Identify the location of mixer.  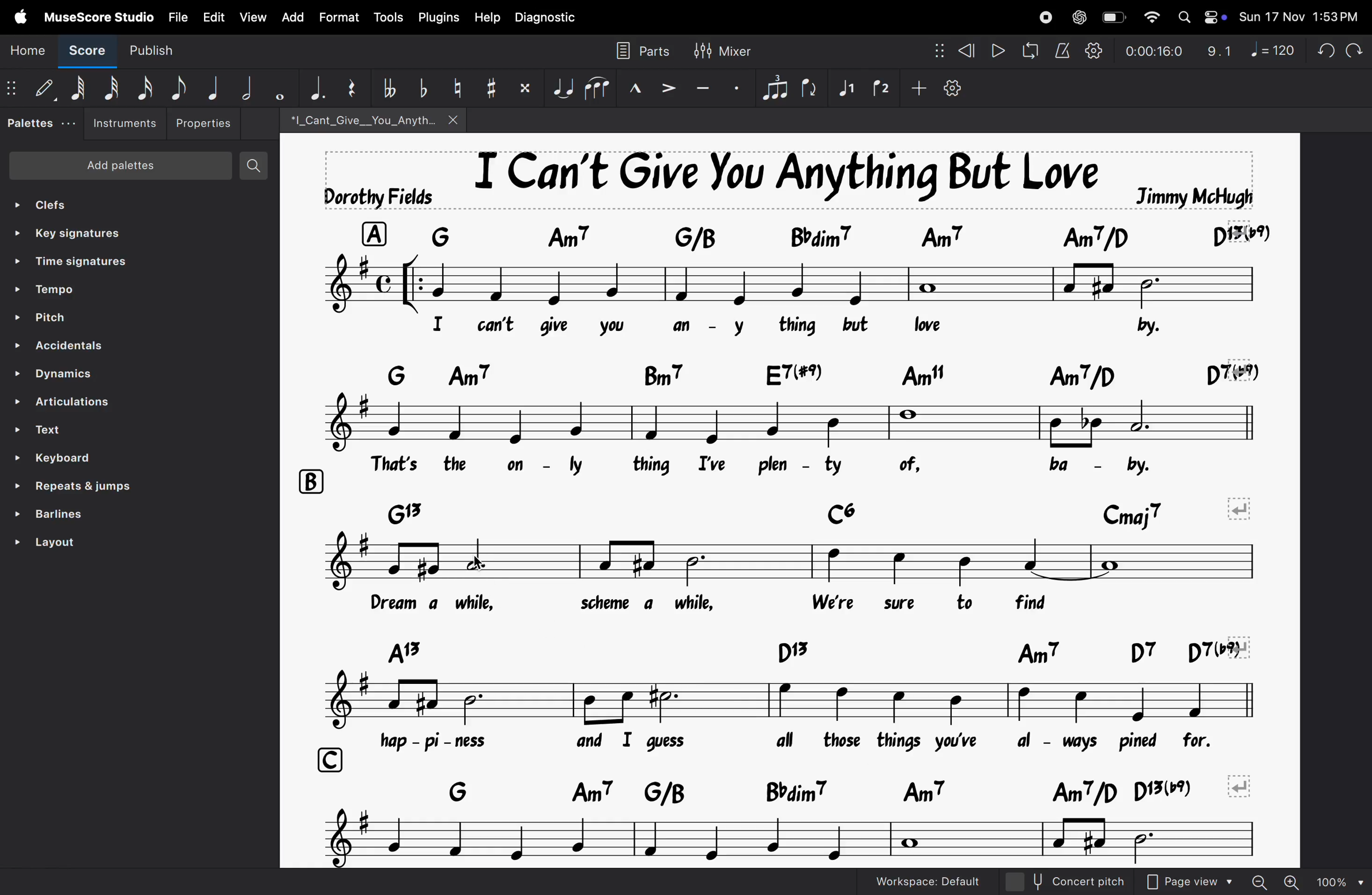
(729, 50).